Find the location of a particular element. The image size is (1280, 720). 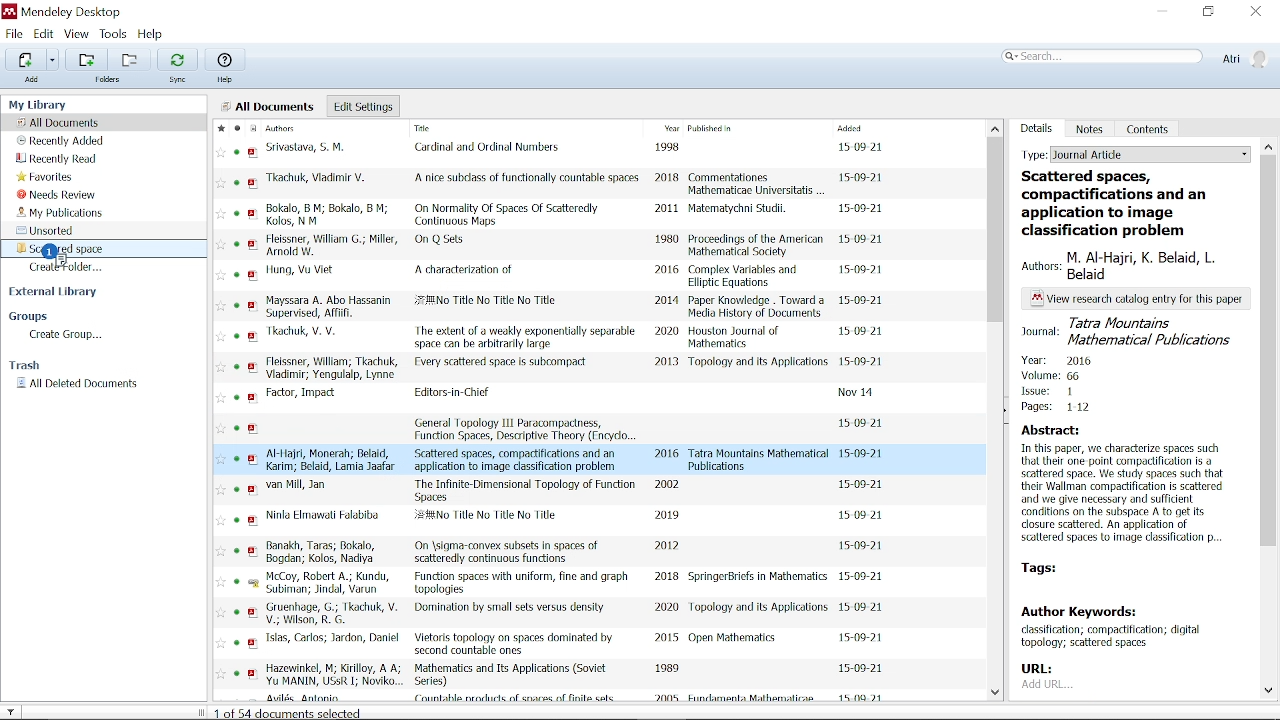

2018 is located at coordinates (667, 577).